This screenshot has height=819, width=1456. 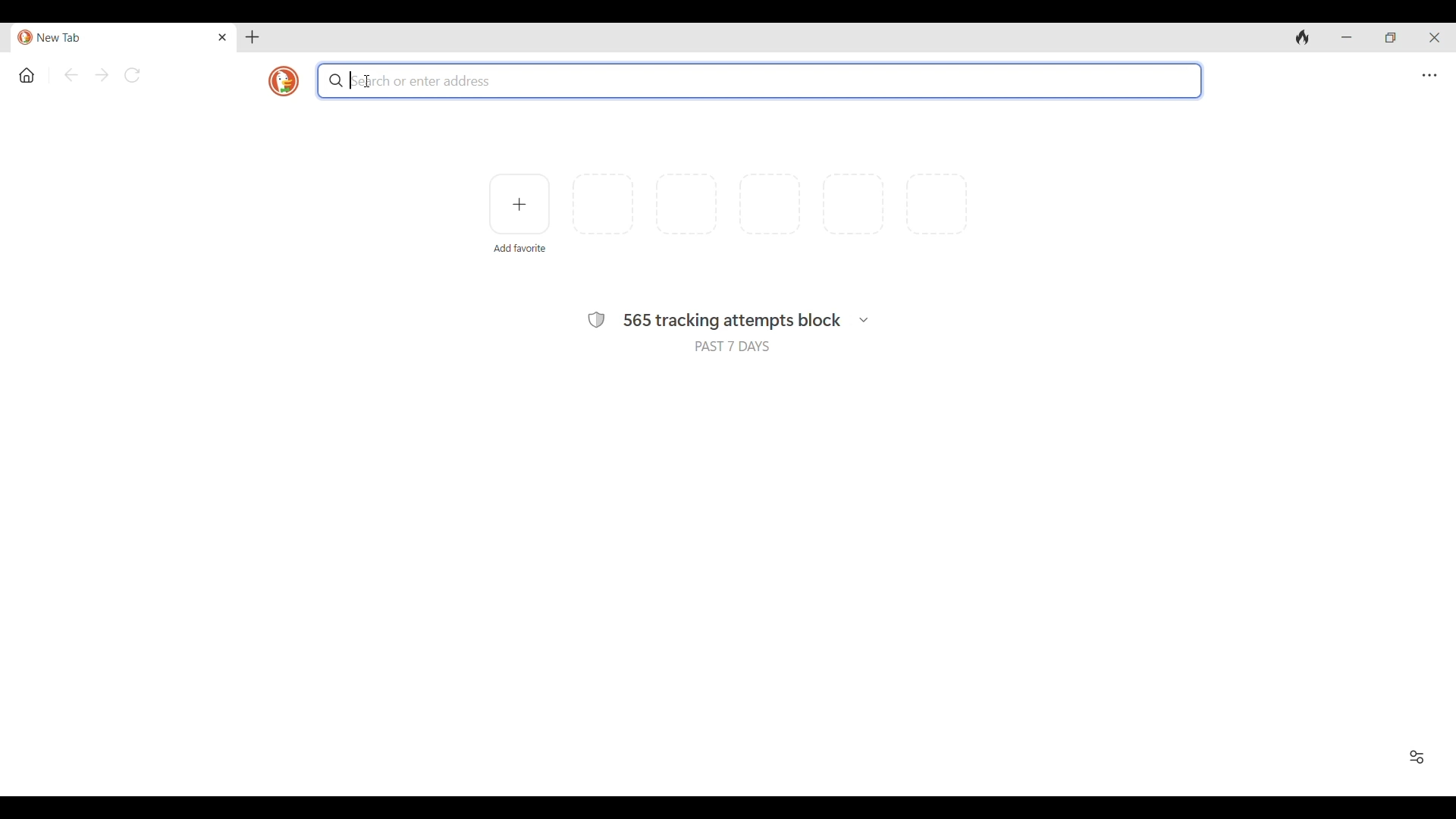 I want to click on Go back, so click(x=71, y=75).